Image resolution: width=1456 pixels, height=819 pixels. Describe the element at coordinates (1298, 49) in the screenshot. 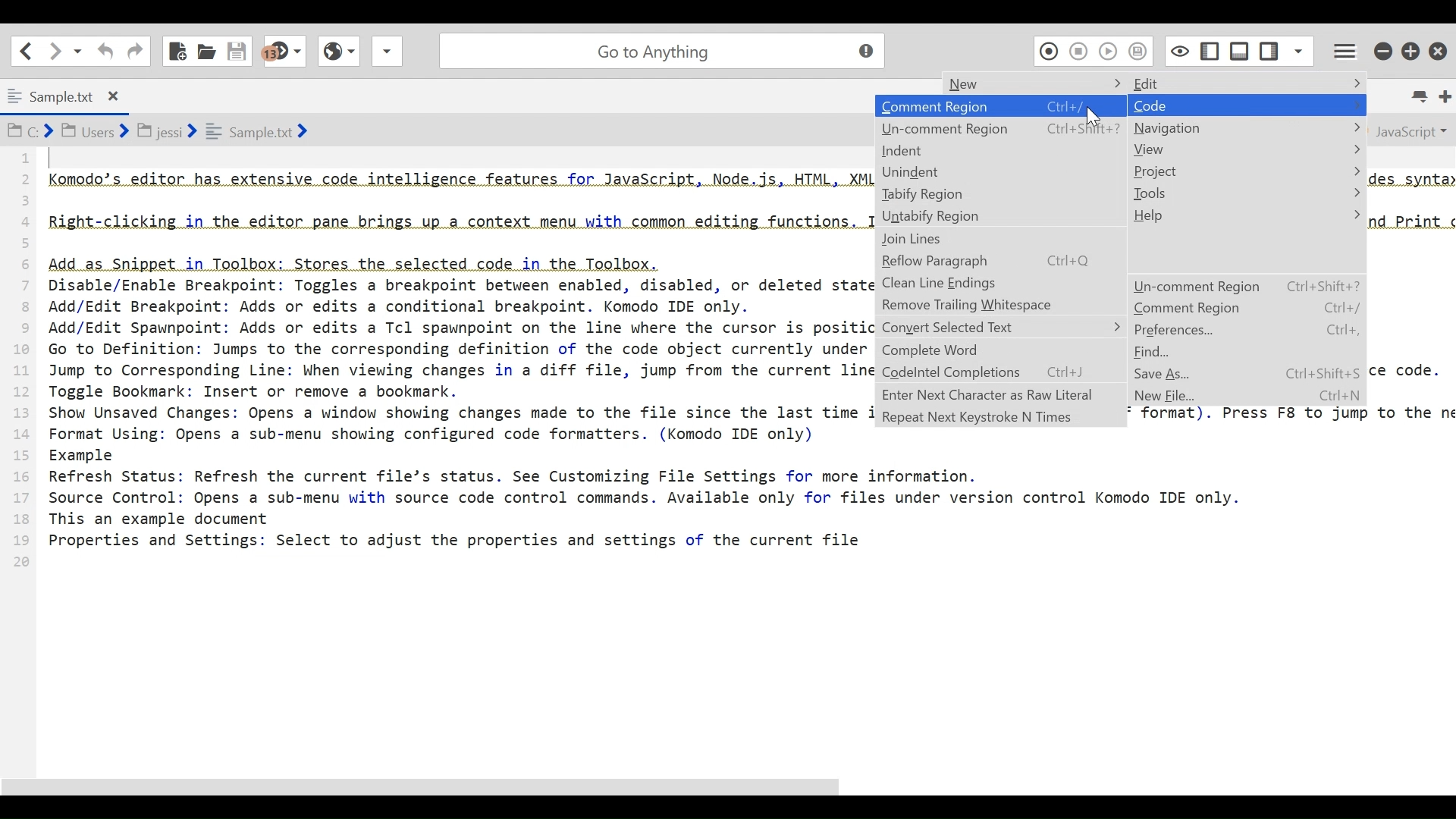

I see `Show specific sidebar` at that location.